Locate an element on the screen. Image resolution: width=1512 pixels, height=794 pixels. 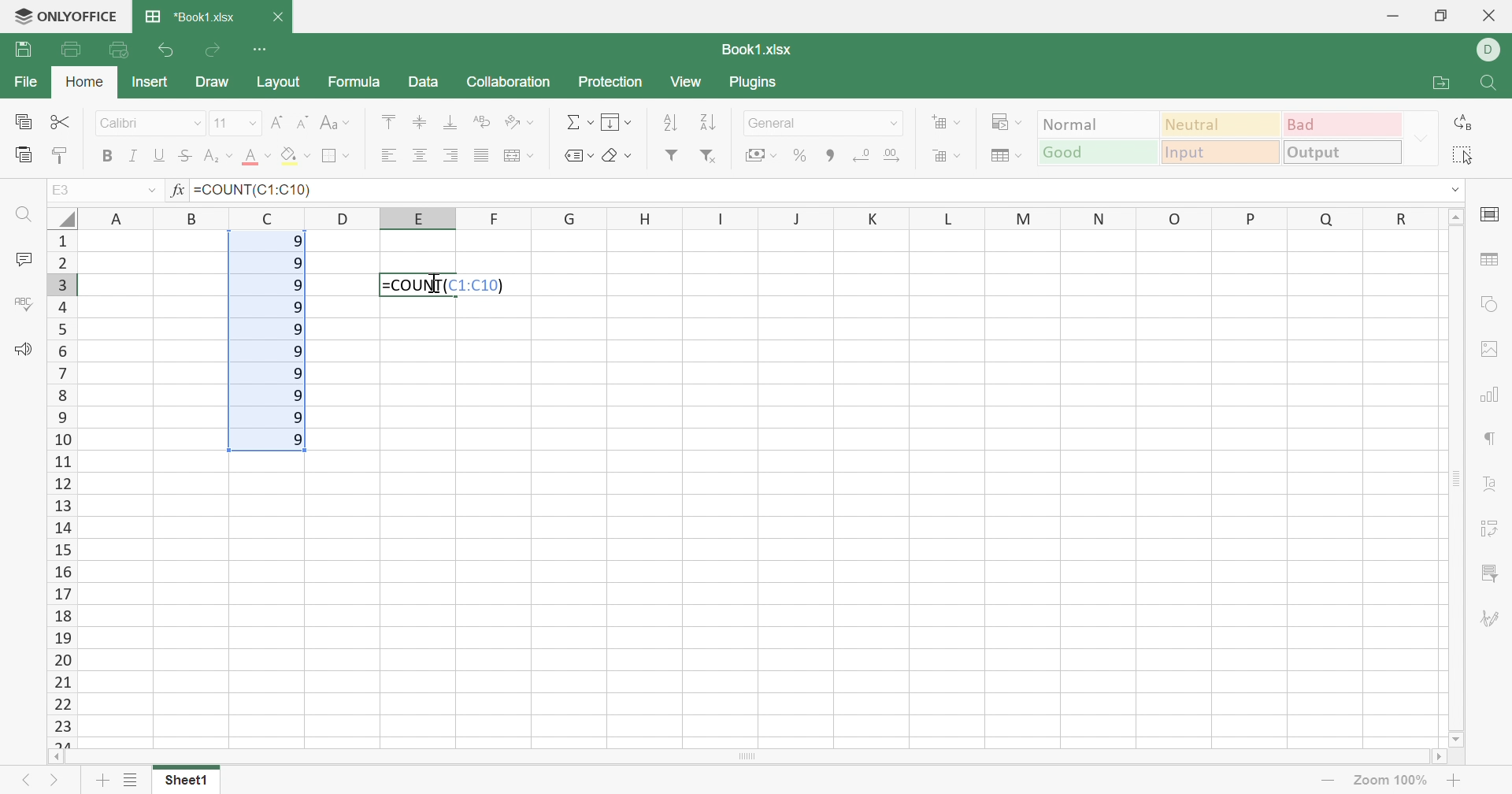
Scroll Bar is located at coordinates (1459, 479).